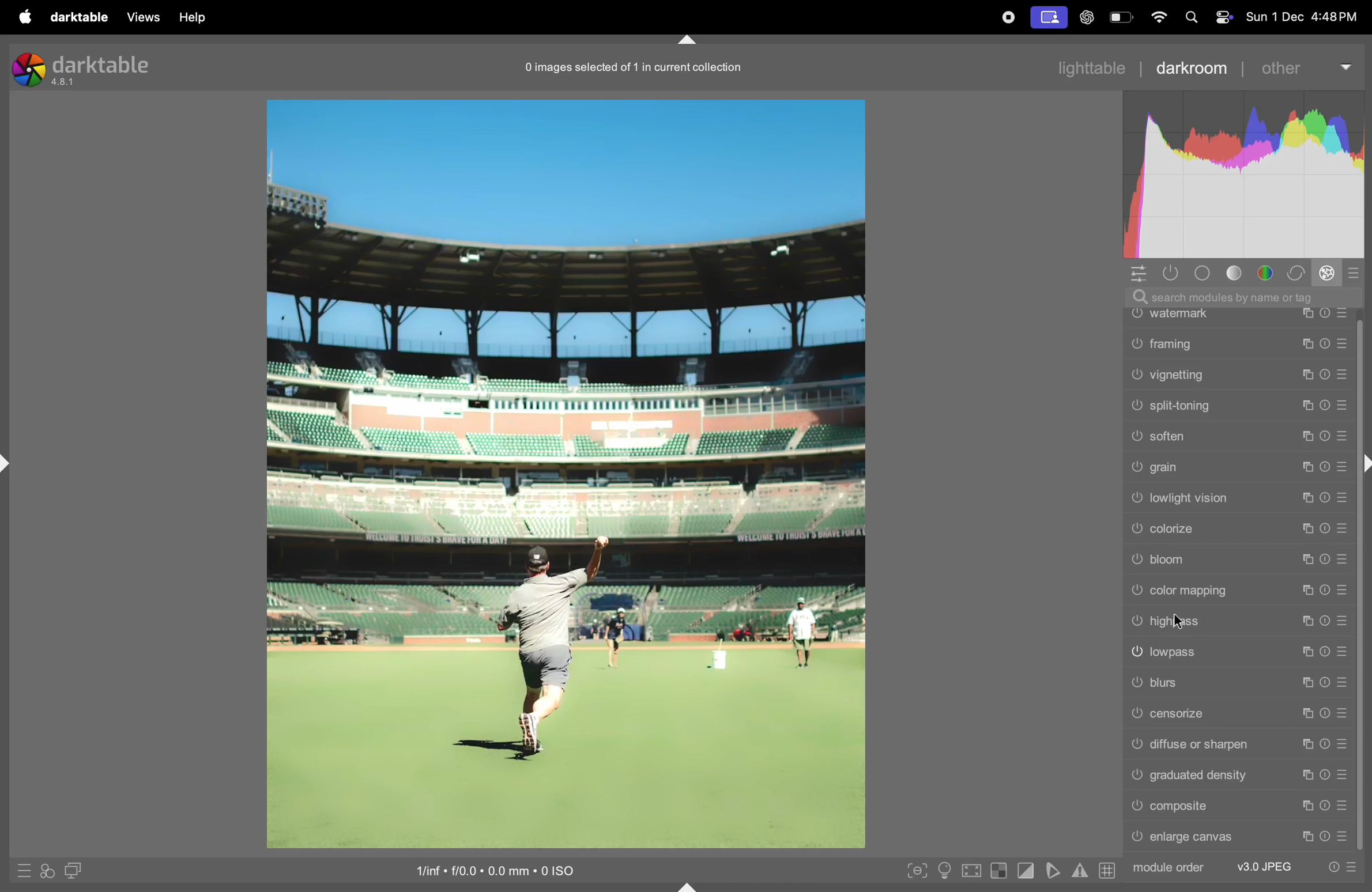 The width and height of the screenshot is (1372, 892). I want to click on other, so click(1301, 69).